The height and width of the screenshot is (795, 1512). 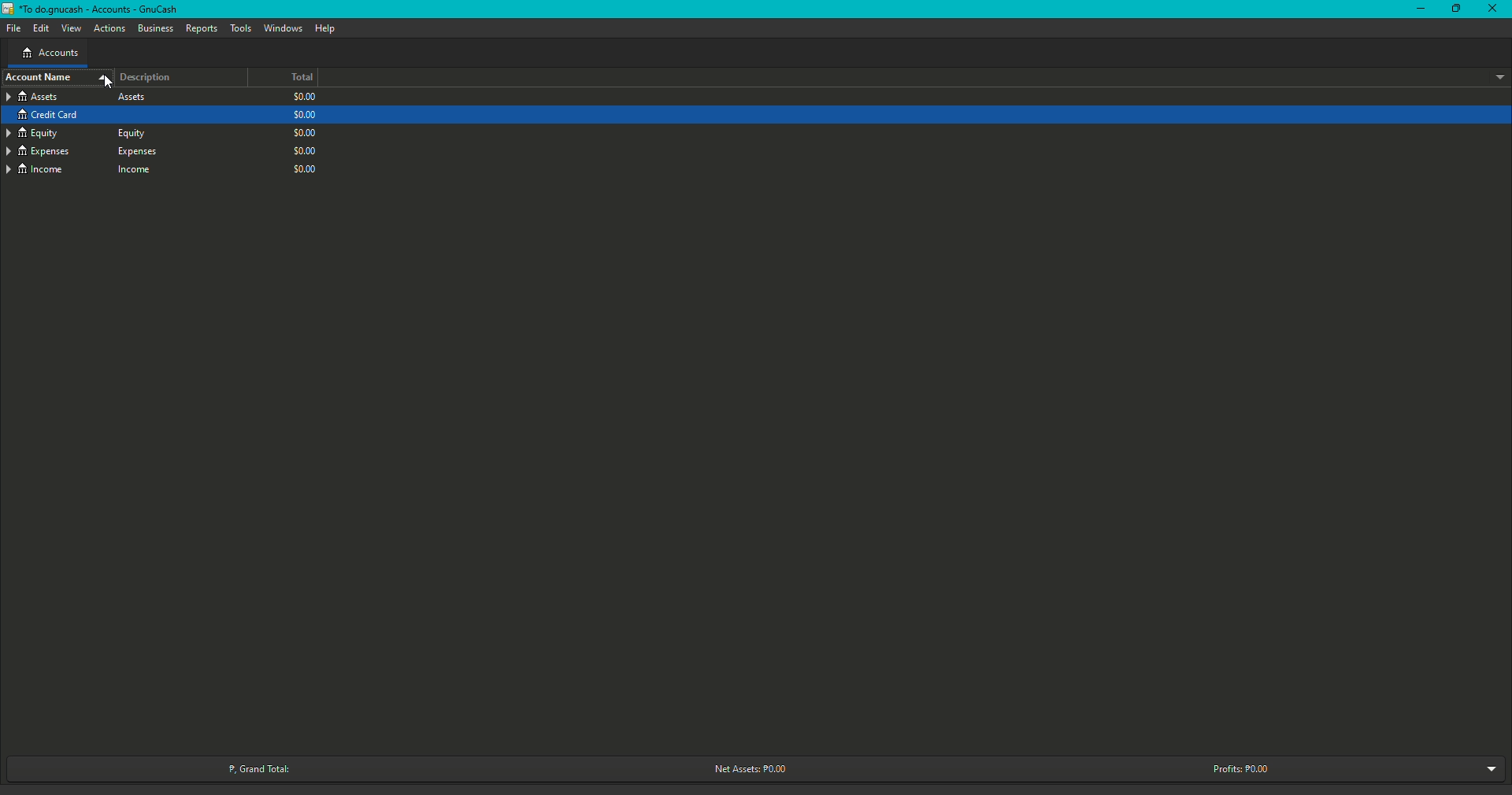 What do you see at coordinates (39, 28) in the screenshot?
I see `Edit` at bounding box center [39, 28].